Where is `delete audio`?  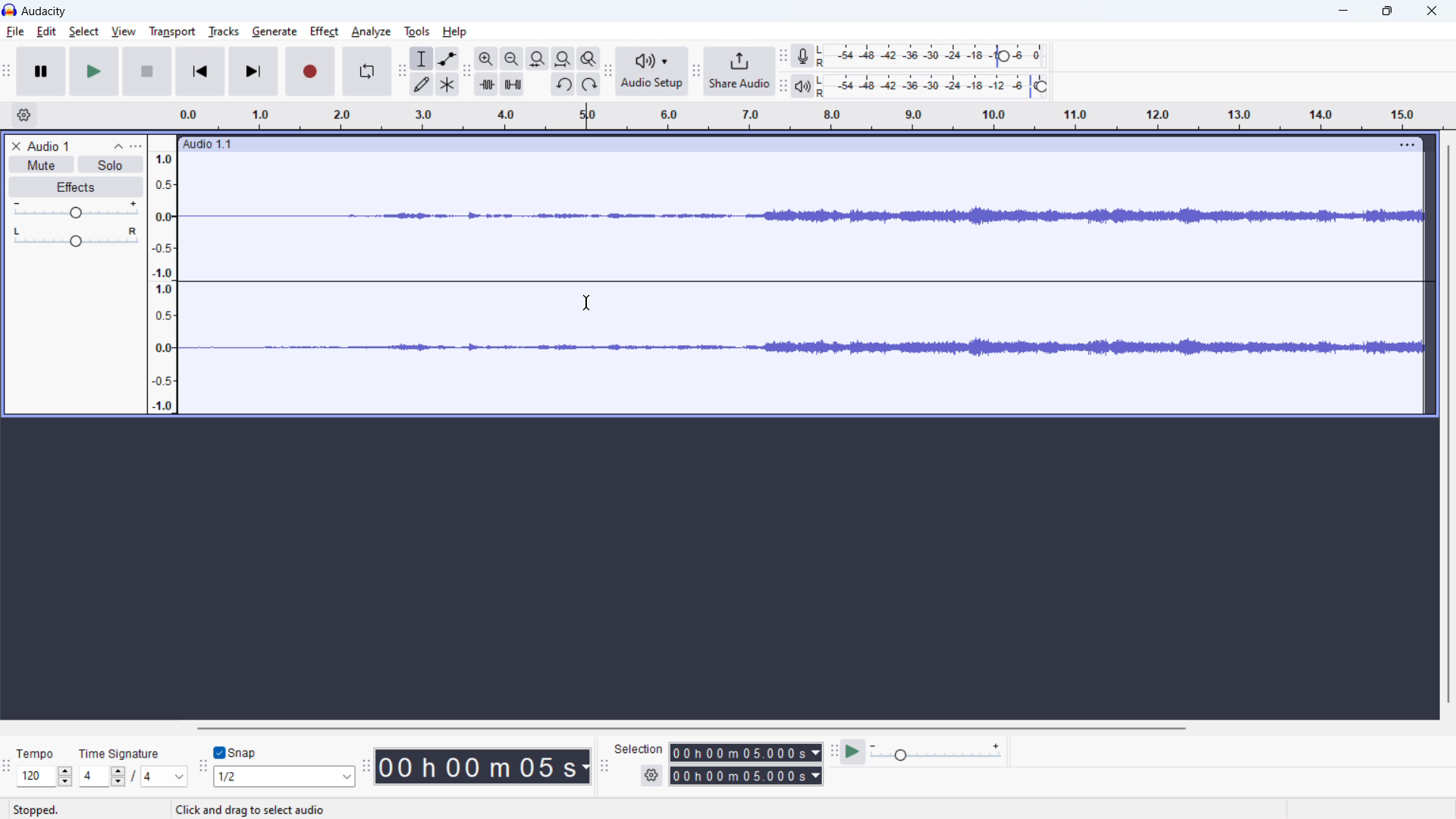 delete audio is located at coordinates (15, 146).